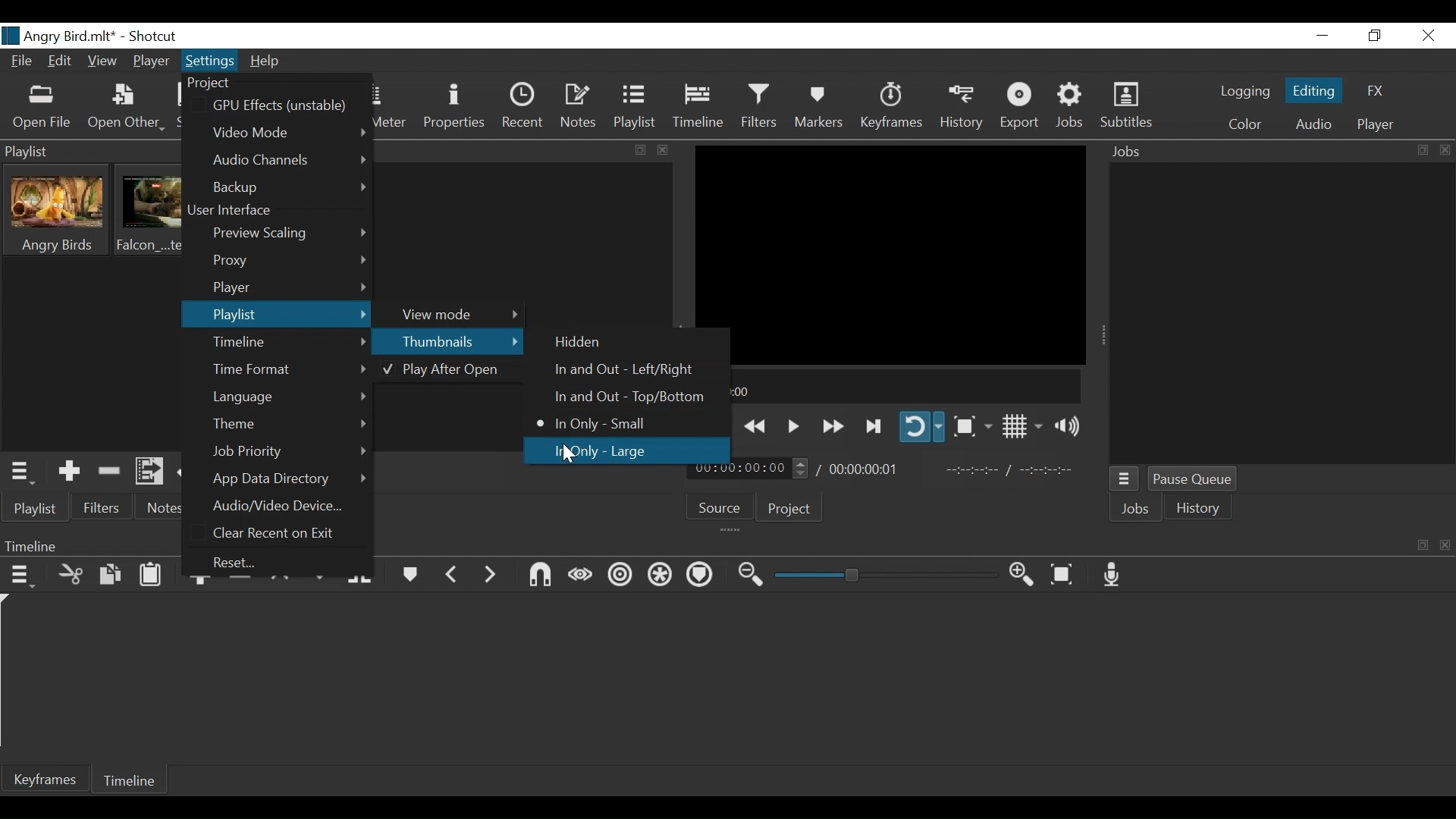 This screenshot has height=819, width=1456. What do you see at coordinates (288, 262) in the screenshot?
I see `Proxy` at bounding box center [288, 262].